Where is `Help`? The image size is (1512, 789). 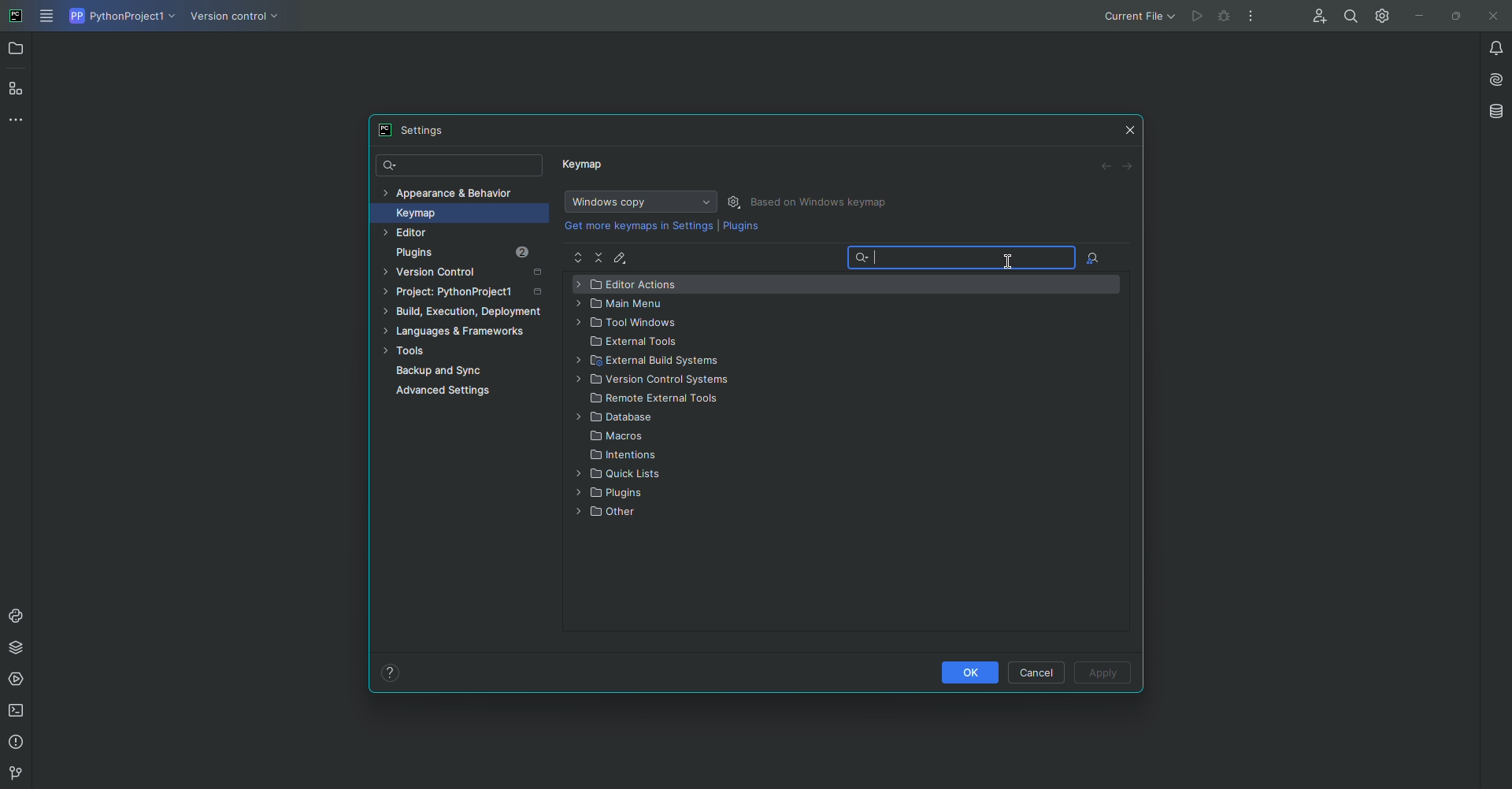
Help is located at coordinates (391, 672).